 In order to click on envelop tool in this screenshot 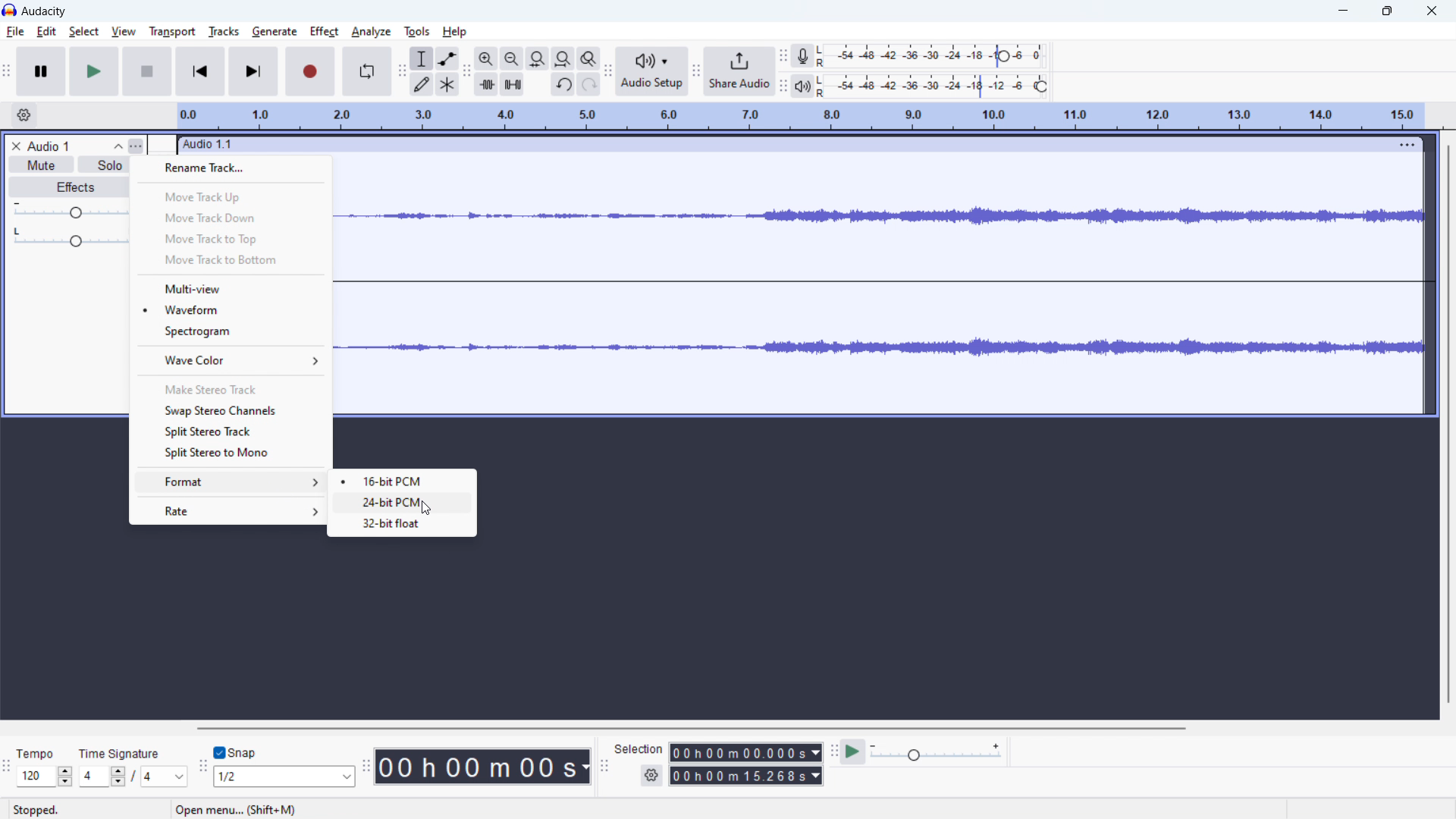, I will do `click(447, 58)`.